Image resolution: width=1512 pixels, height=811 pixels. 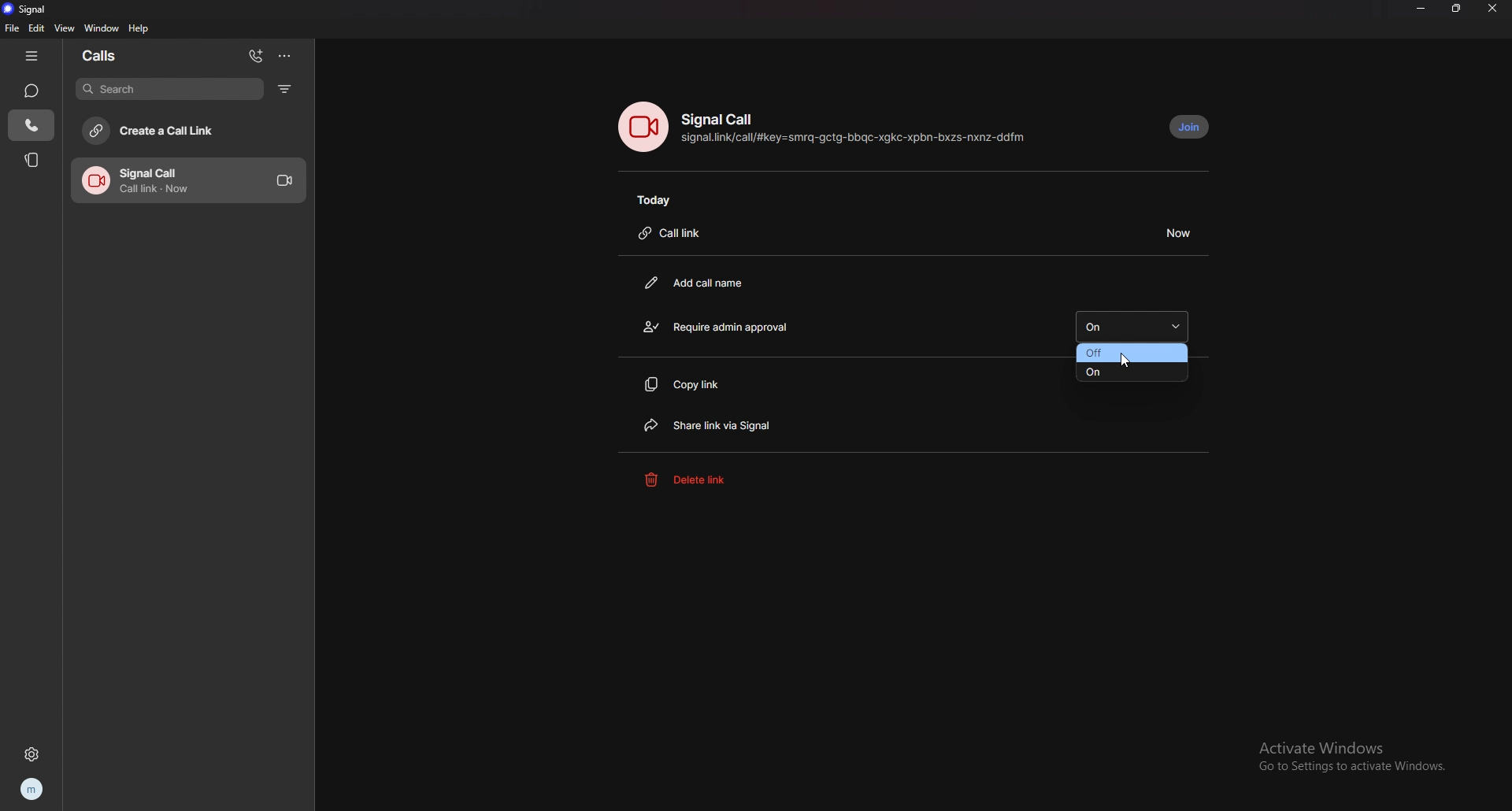 What do you see at coordinates (659, 200) in the screenshot?
I see `today` at bounding box center [659, 200].